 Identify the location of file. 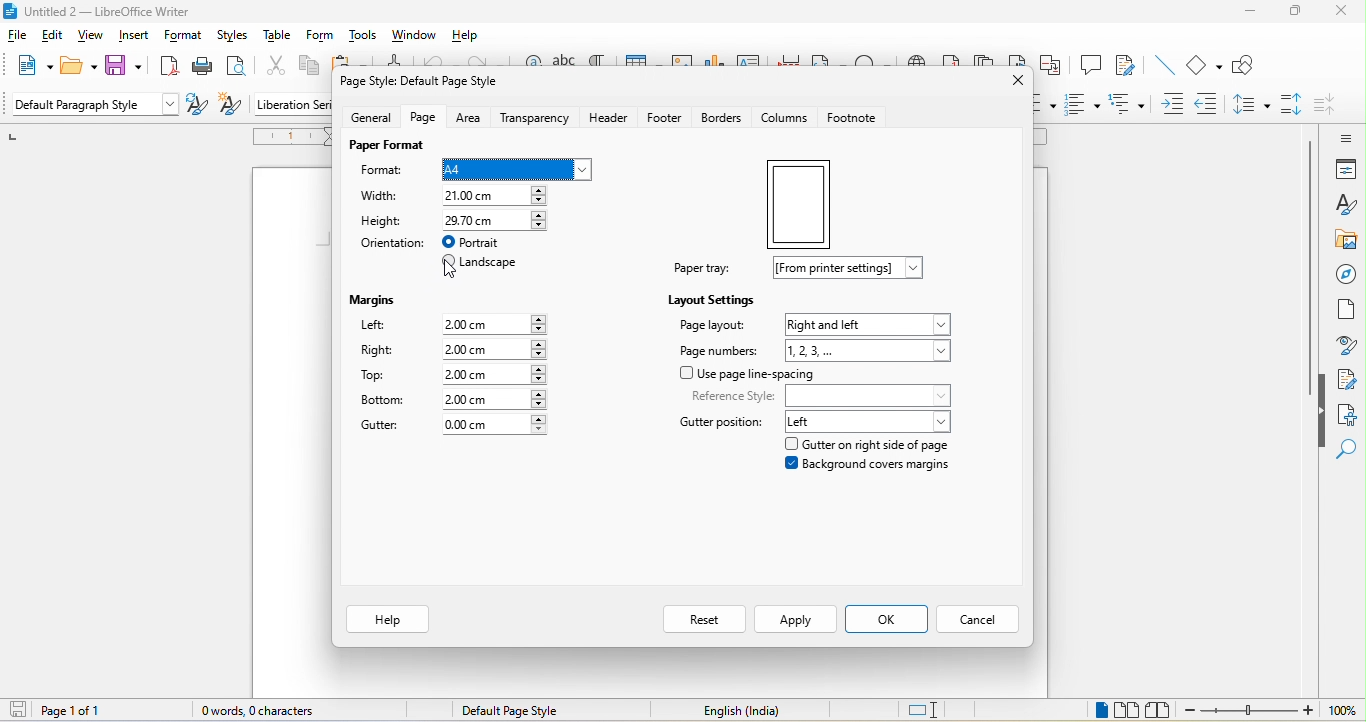
(20, 36).